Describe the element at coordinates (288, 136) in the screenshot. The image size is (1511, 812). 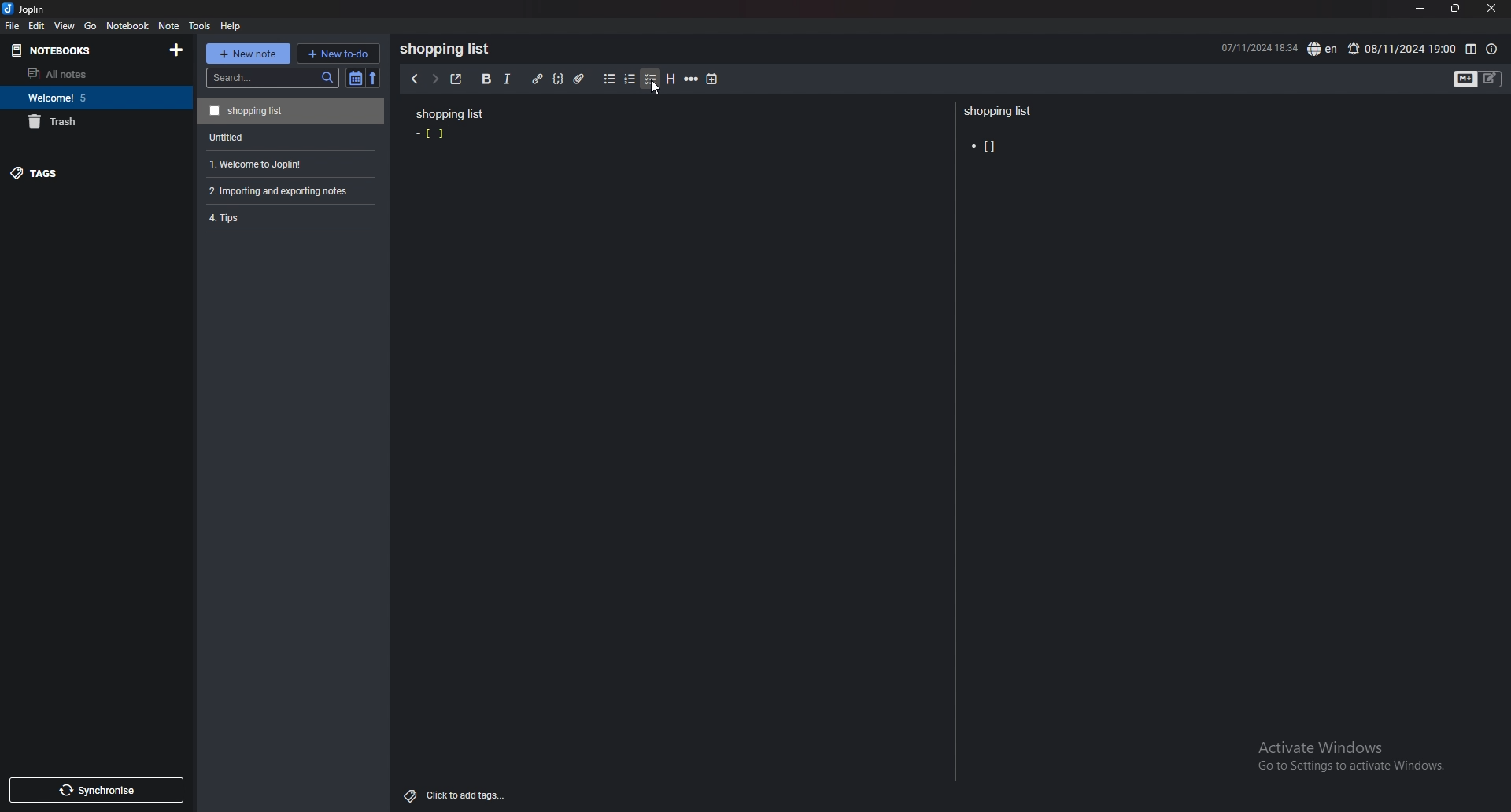
I see `Untitled` at that location.